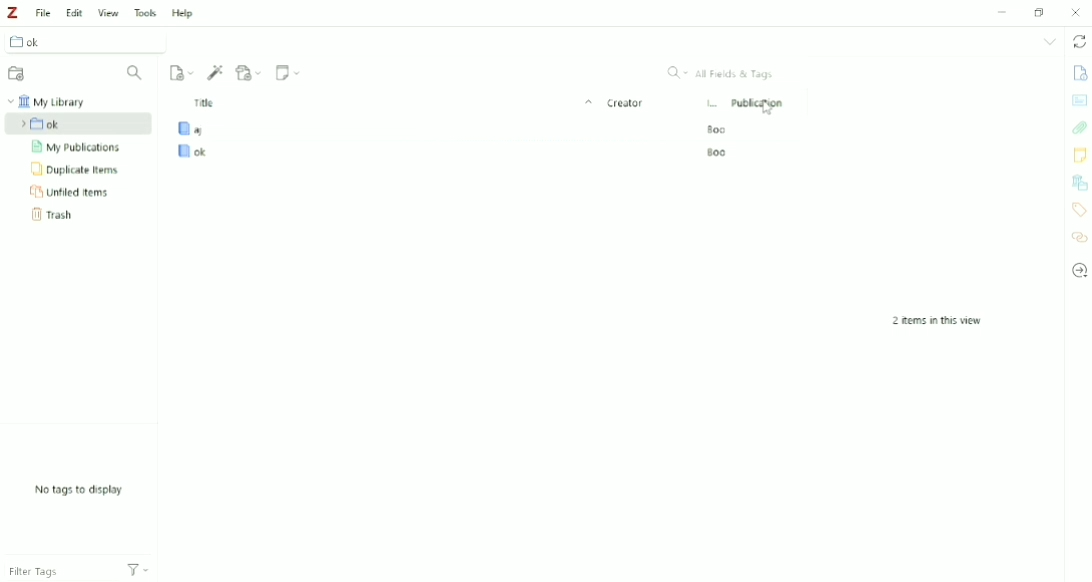 Image resolution: width=1092 pixels, height=582 pixels. I want to click on New Note, so click(288, 72).